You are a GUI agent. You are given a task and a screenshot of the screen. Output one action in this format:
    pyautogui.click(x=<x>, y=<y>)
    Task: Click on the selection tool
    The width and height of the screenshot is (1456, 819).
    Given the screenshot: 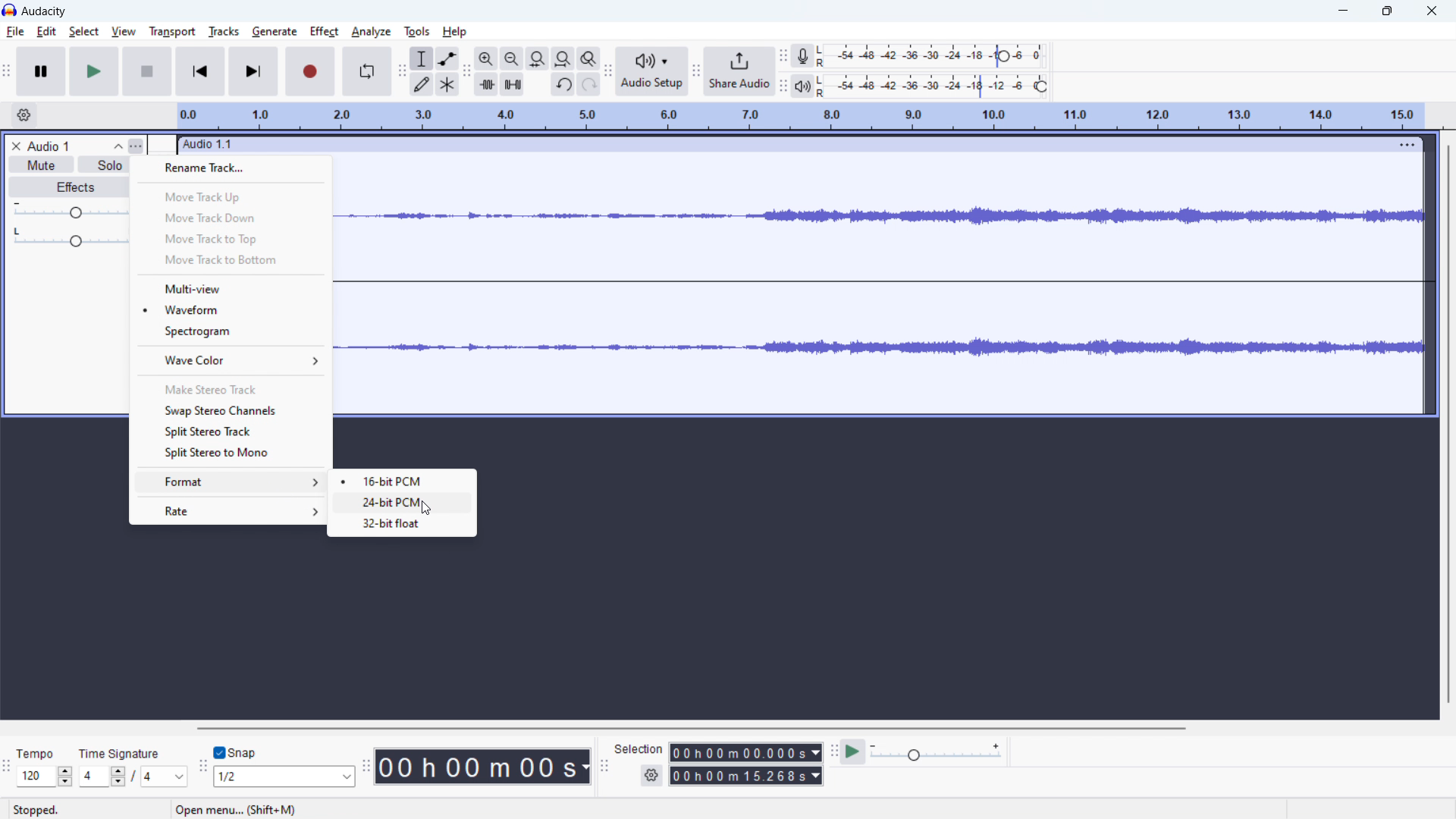 What is the action you would take?
    pyautogui.click(x=422, y=58)
    